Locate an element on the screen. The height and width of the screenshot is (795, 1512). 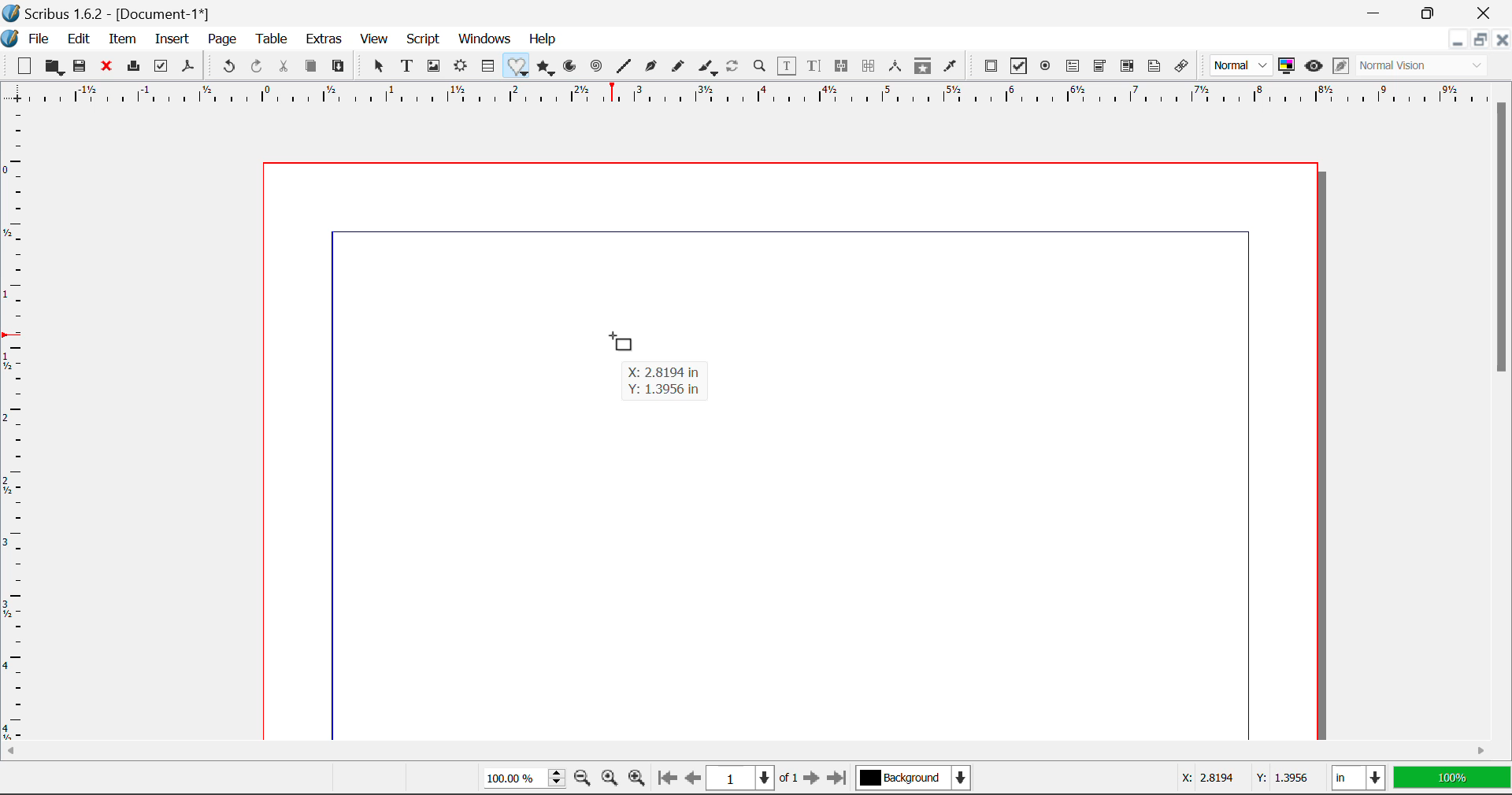
Table is located at coordinates (274, 39).